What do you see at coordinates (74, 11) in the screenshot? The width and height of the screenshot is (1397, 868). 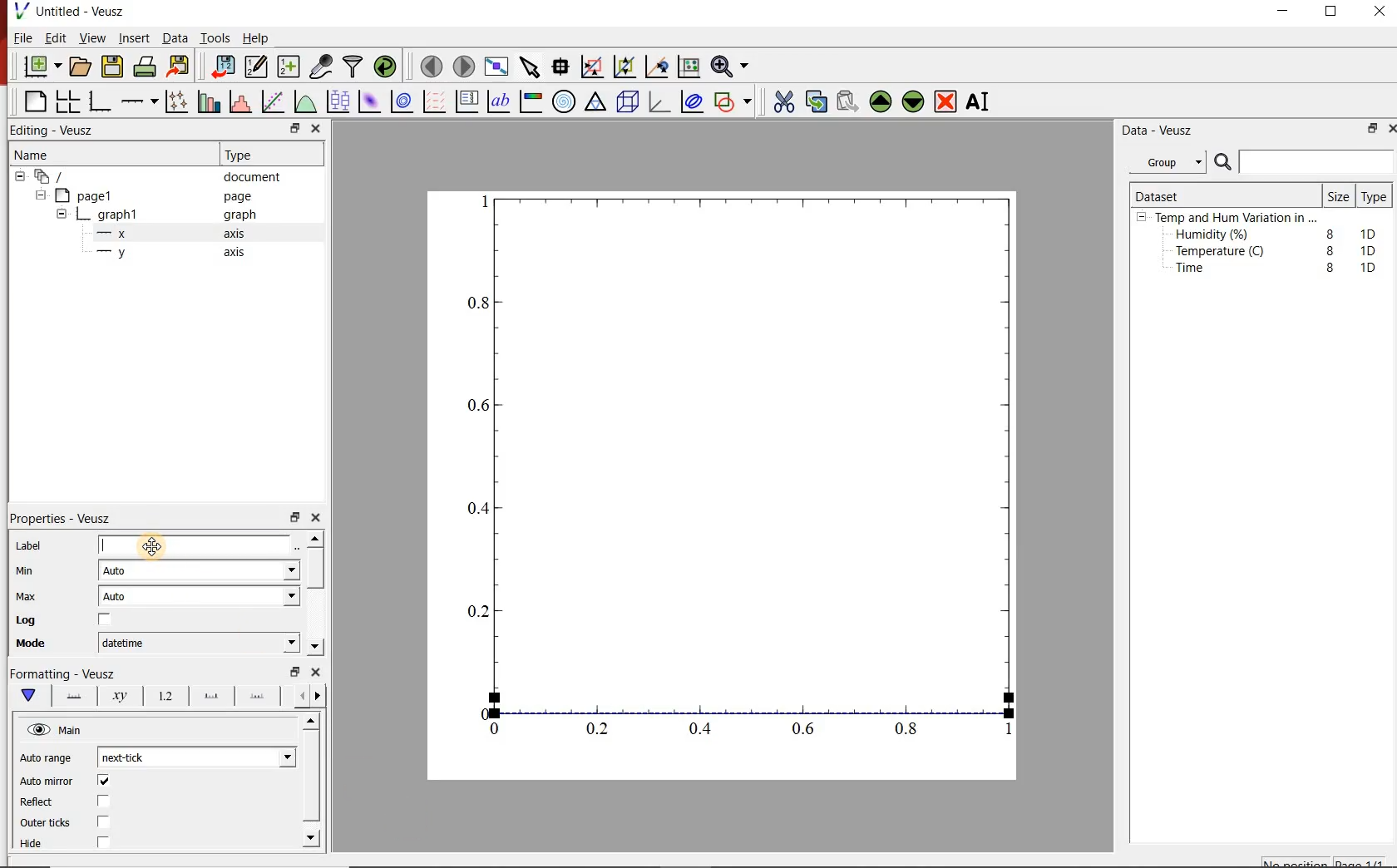 I see `Untitled - Veusz` at bounding box center [74, 11].